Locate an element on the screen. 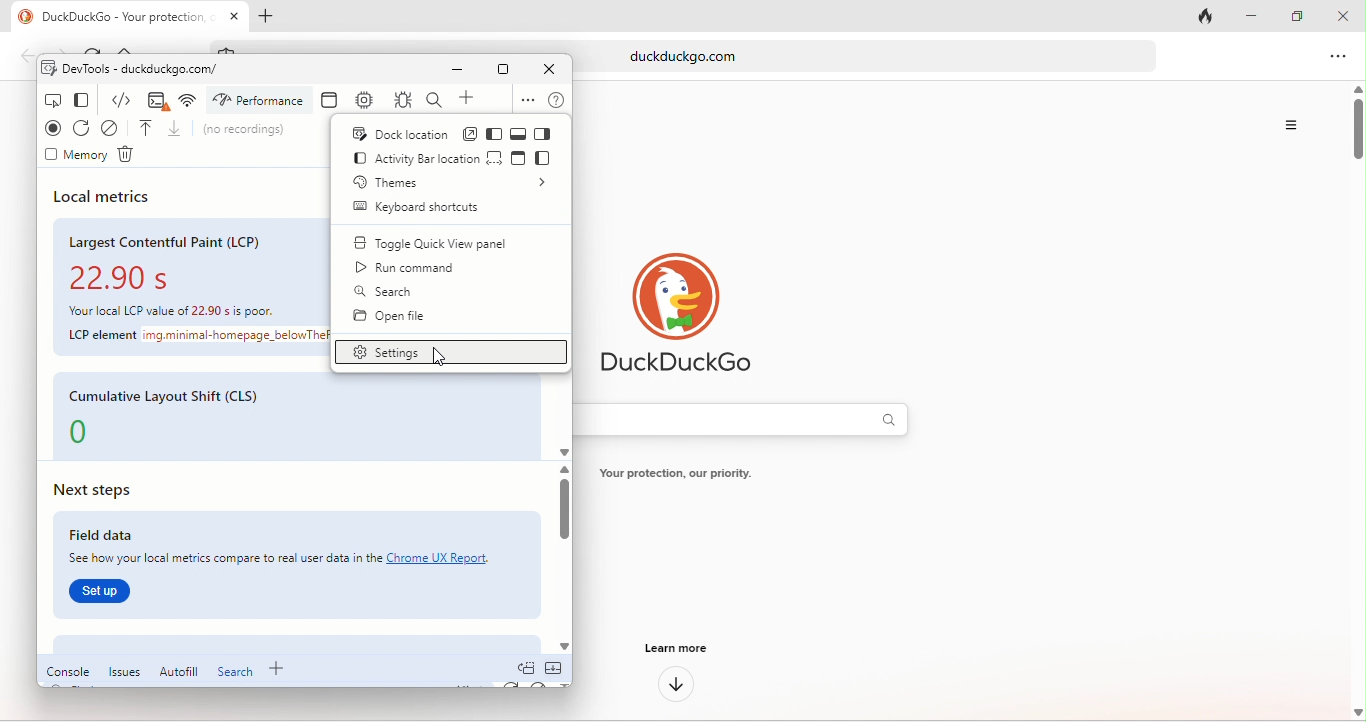 The height and width of the screenshot is (722, 1366). minimize is located at coordinates (1253, 17).